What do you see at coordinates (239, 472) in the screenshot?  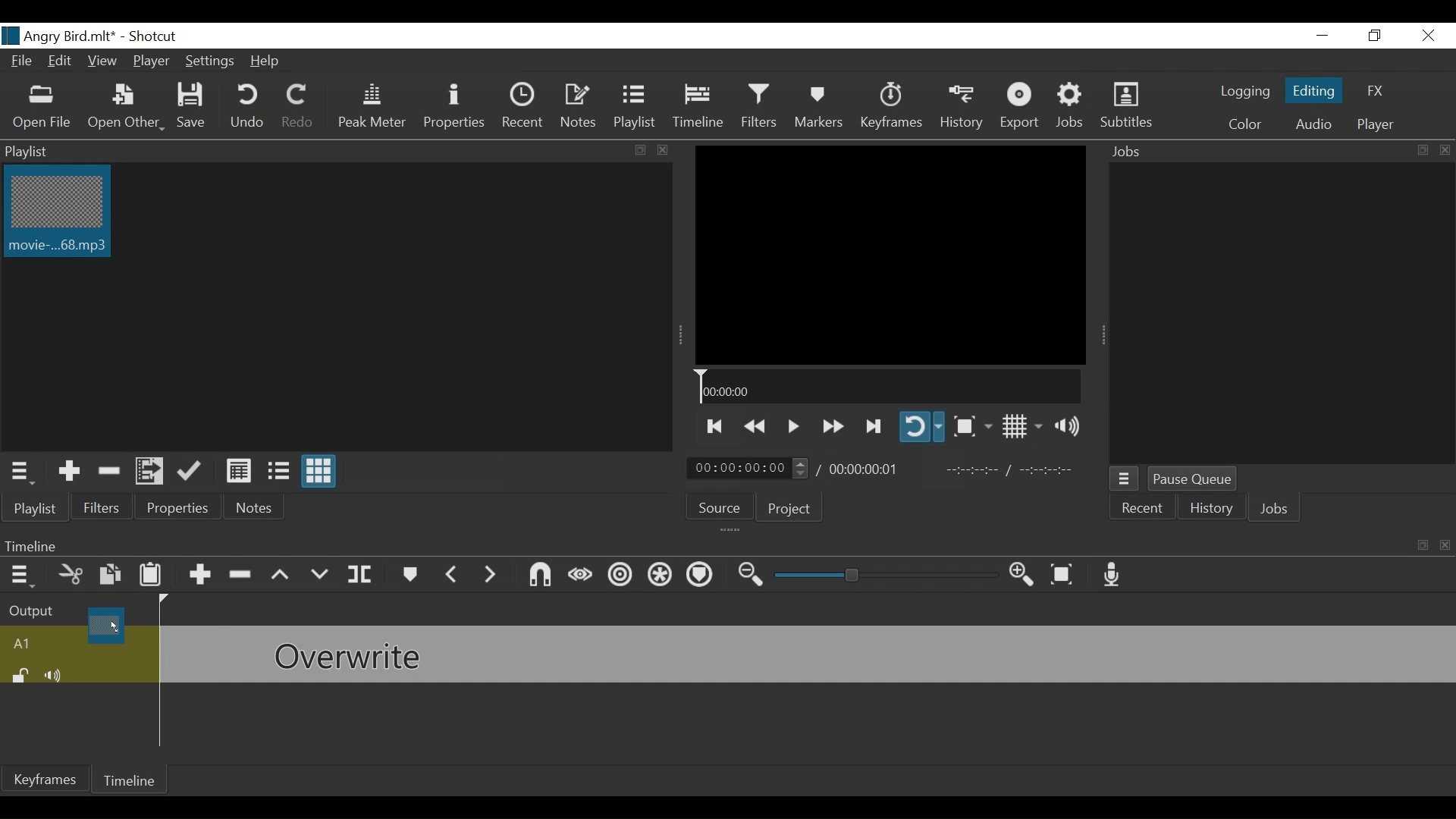 I see `View as Details` at bounding box center [239, 472].